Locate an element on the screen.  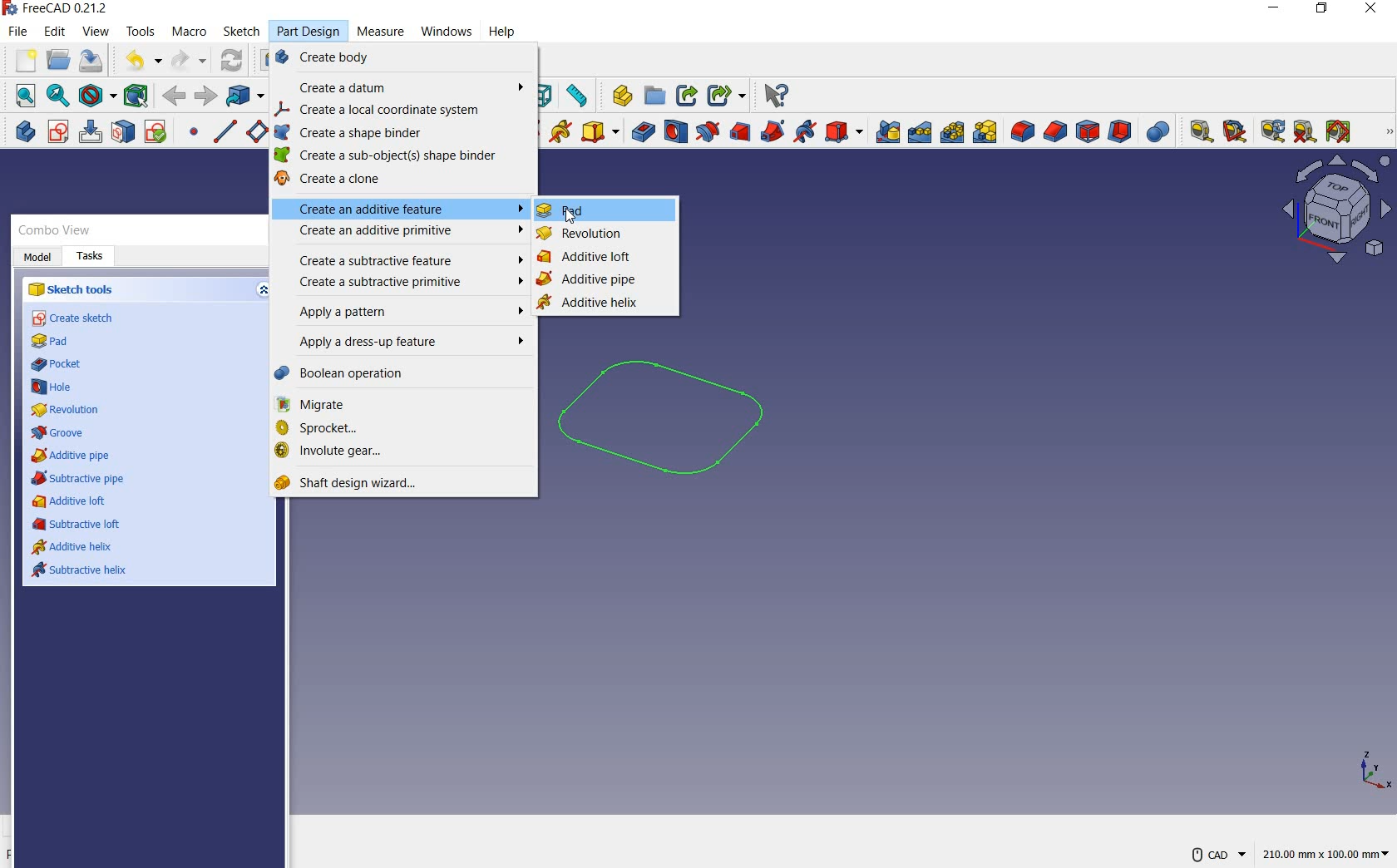
help is located at coordinates (504, 31).